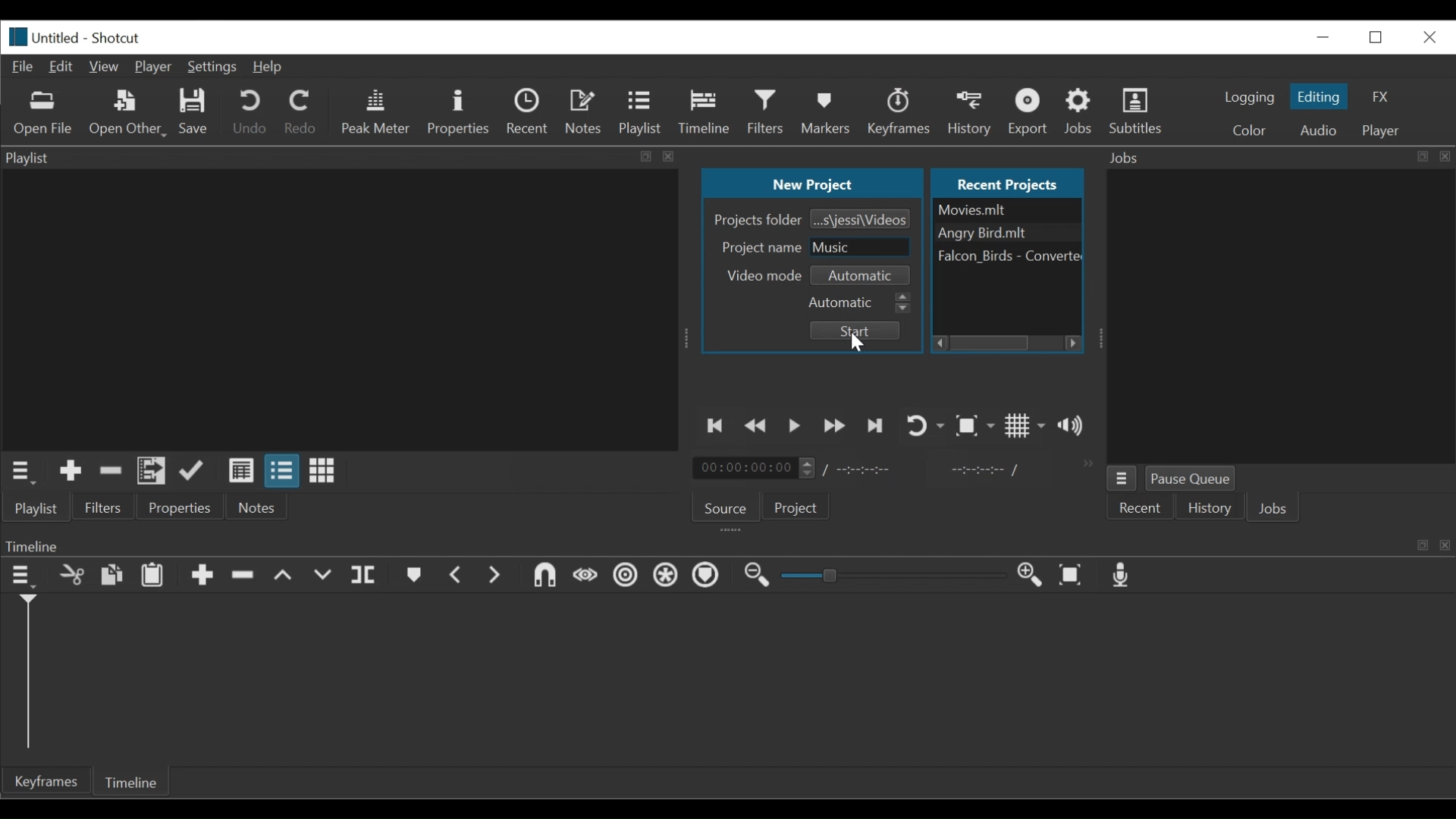 This screenshot has width=1456, height=819. What do you see at coordinates (864, 469) in the screenshot?
I see `Total Duration` at bounding box center [864, 469].